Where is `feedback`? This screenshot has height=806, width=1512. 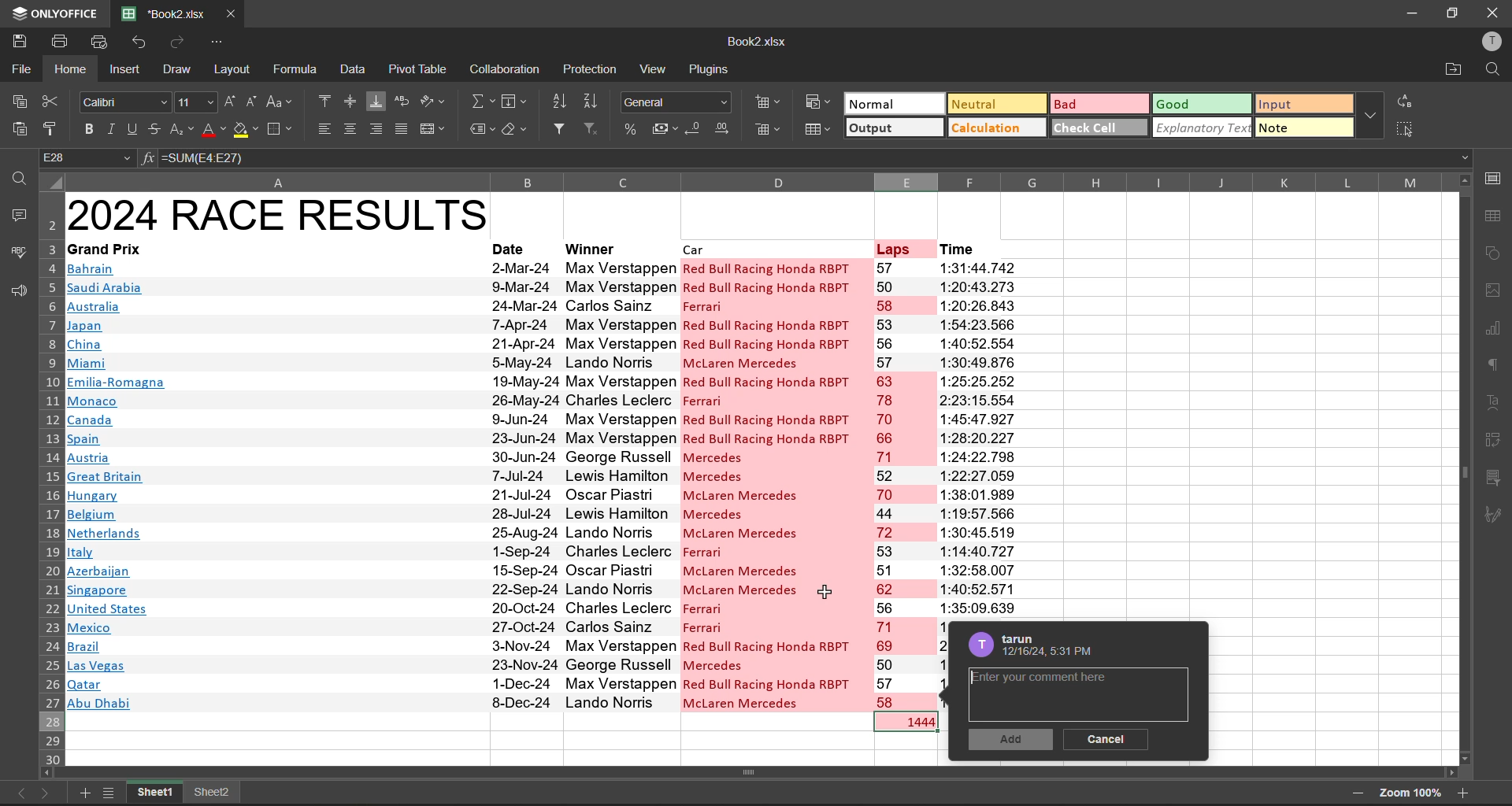
feedback is located at coordinates (16, 290).